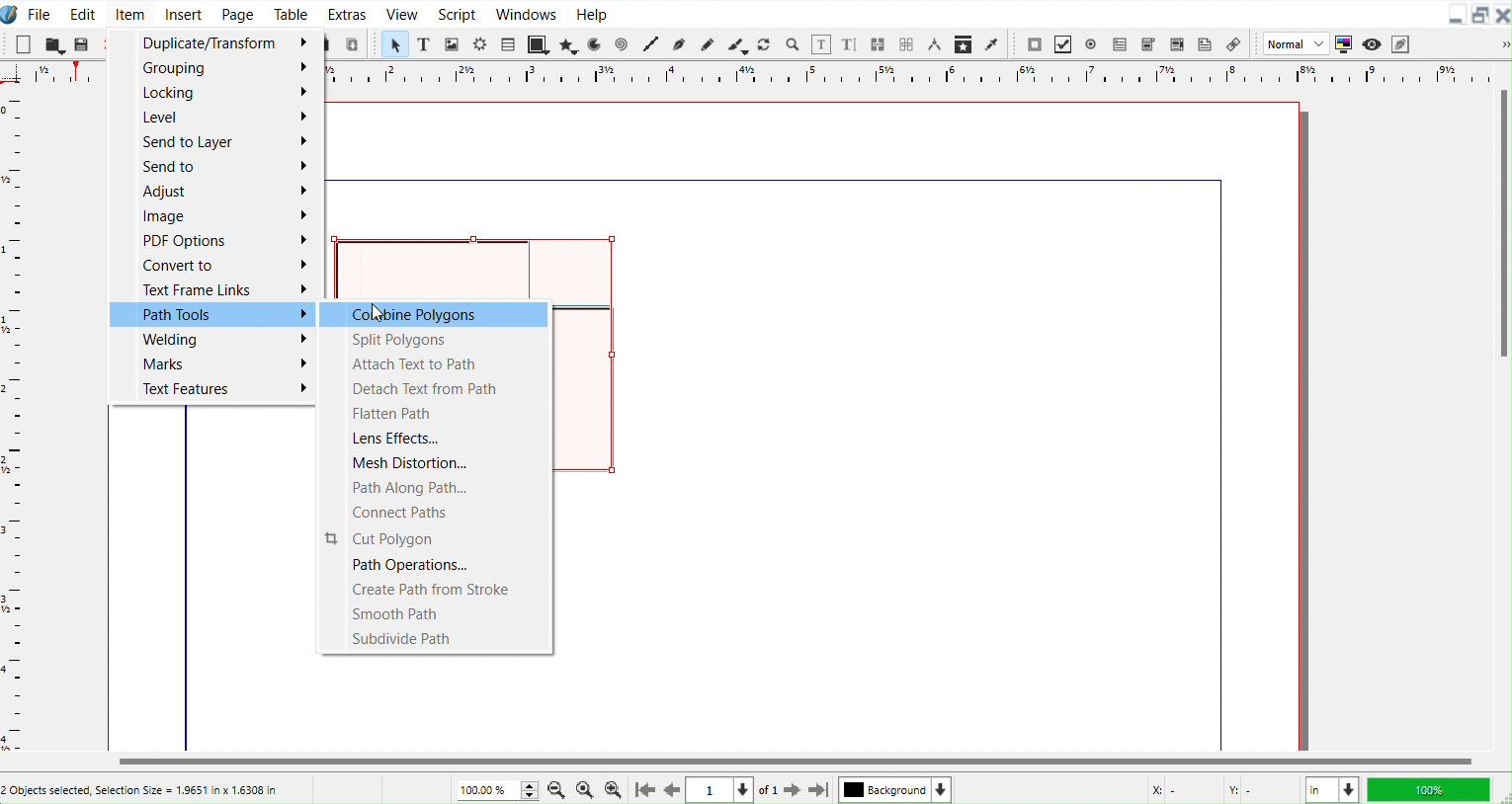  Describe the element at coordinates (1371, 42) in the screenshot. I see `Preview mode` at that location.